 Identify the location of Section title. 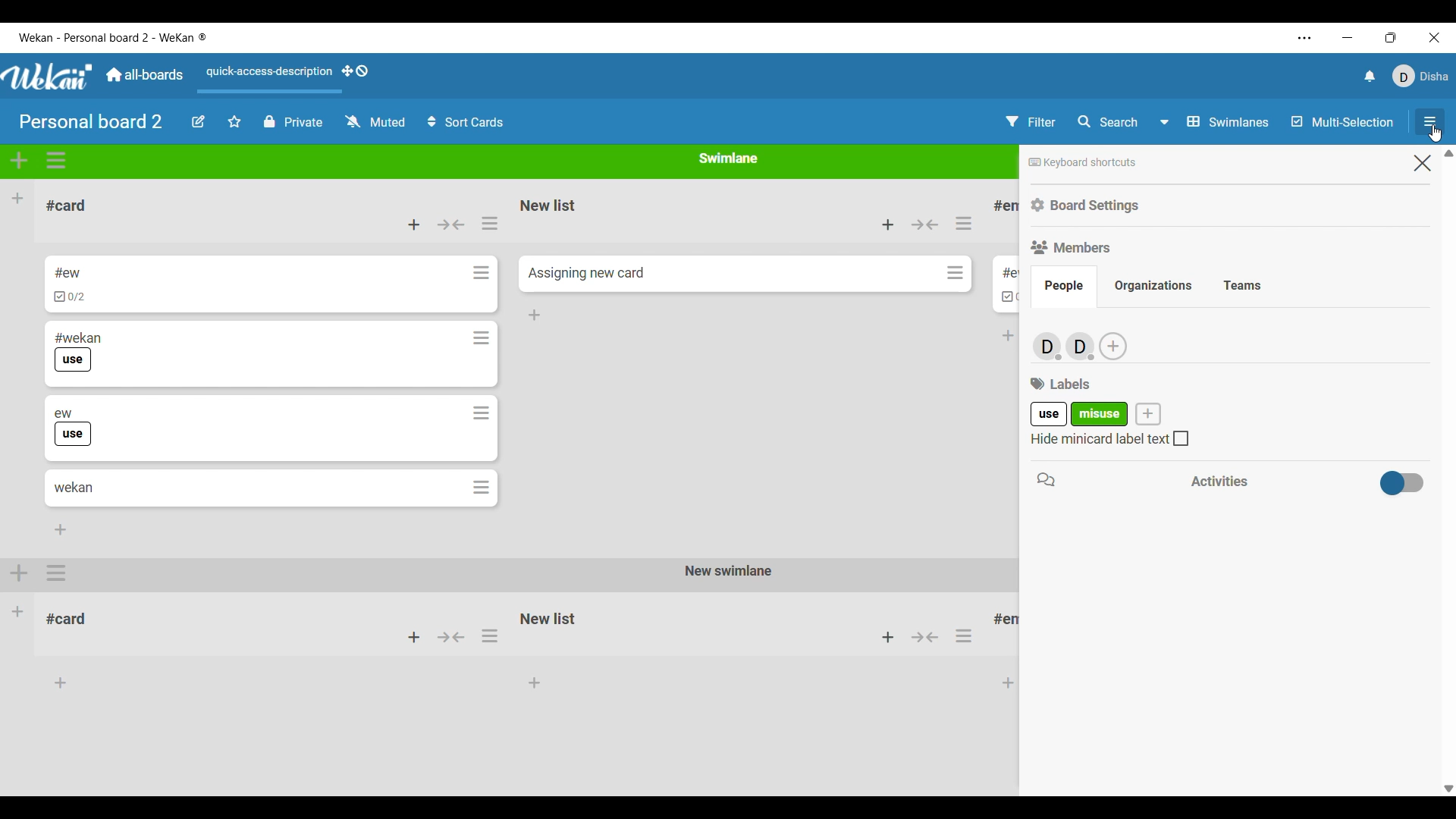
(1219, 481).